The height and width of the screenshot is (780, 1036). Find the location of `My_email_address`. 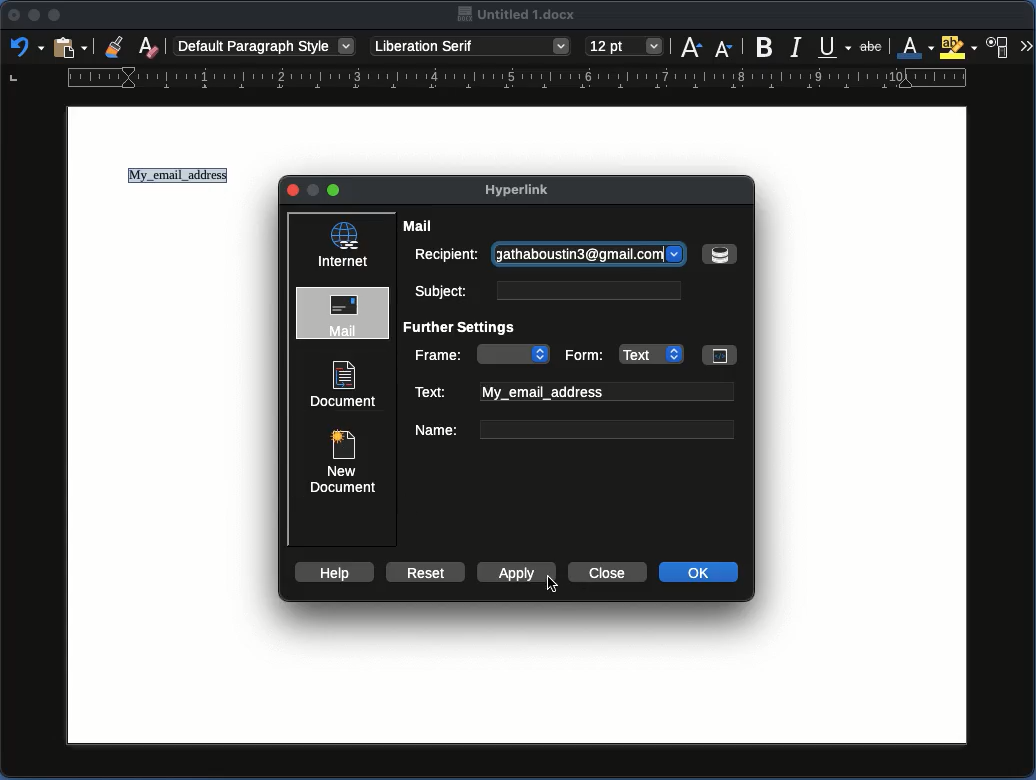

My_email_address is located at coordinates (181, 178).